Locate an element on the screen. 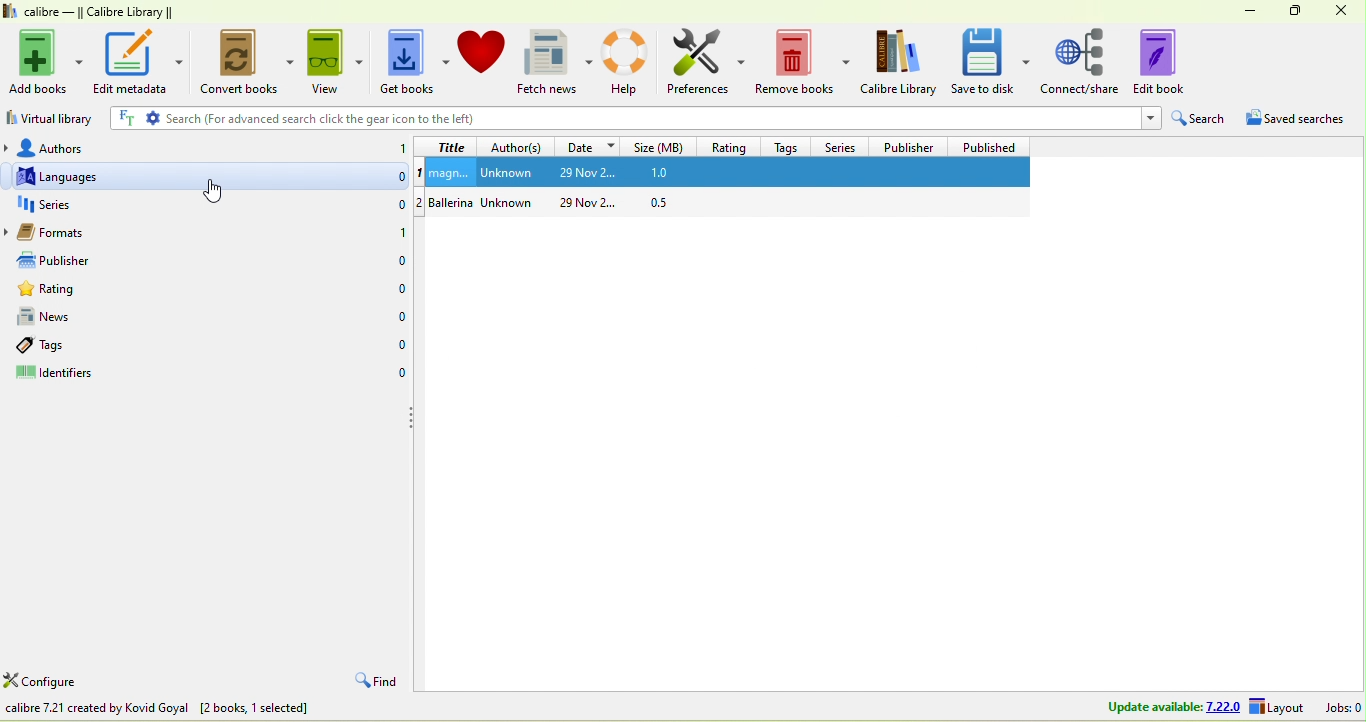 Image resolution: width=1366 pixels, height=722 pixels. help is located at coordinates (626, 63).